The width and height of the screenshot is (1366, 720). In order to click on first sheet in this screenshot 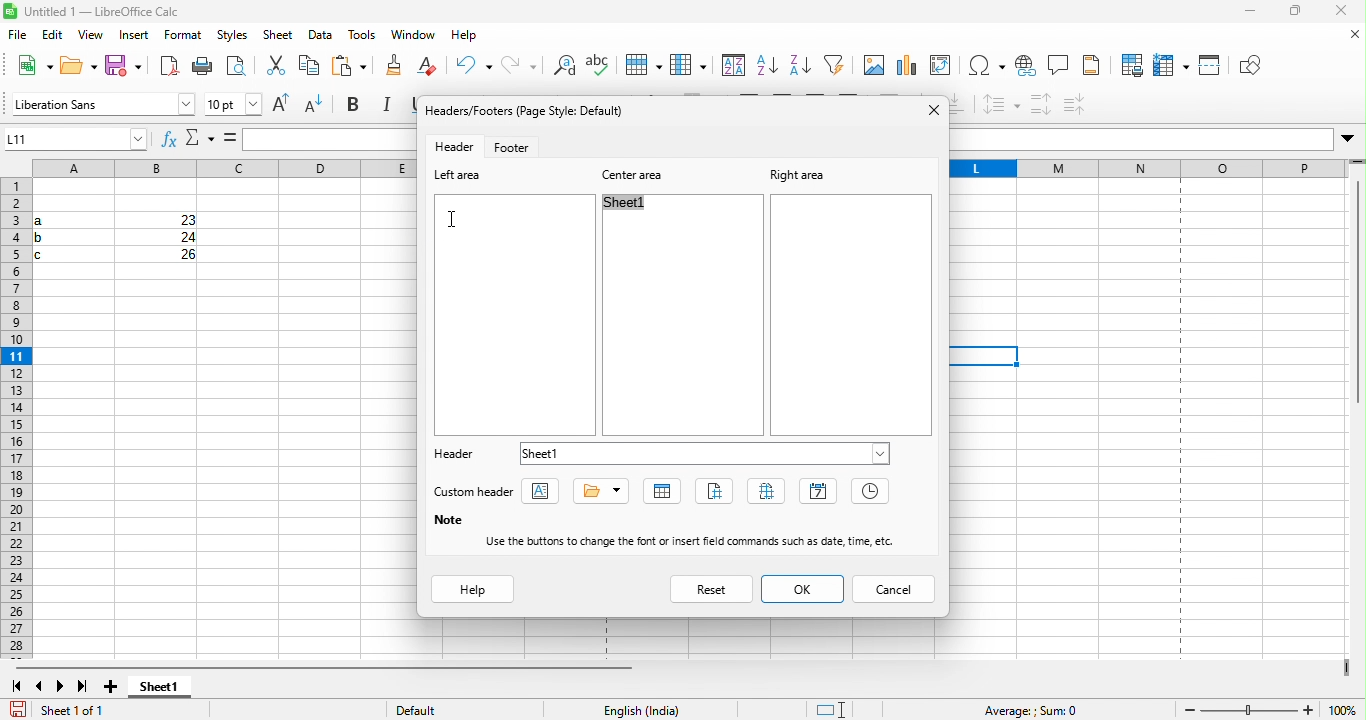, I will do `click(15, 683)`.